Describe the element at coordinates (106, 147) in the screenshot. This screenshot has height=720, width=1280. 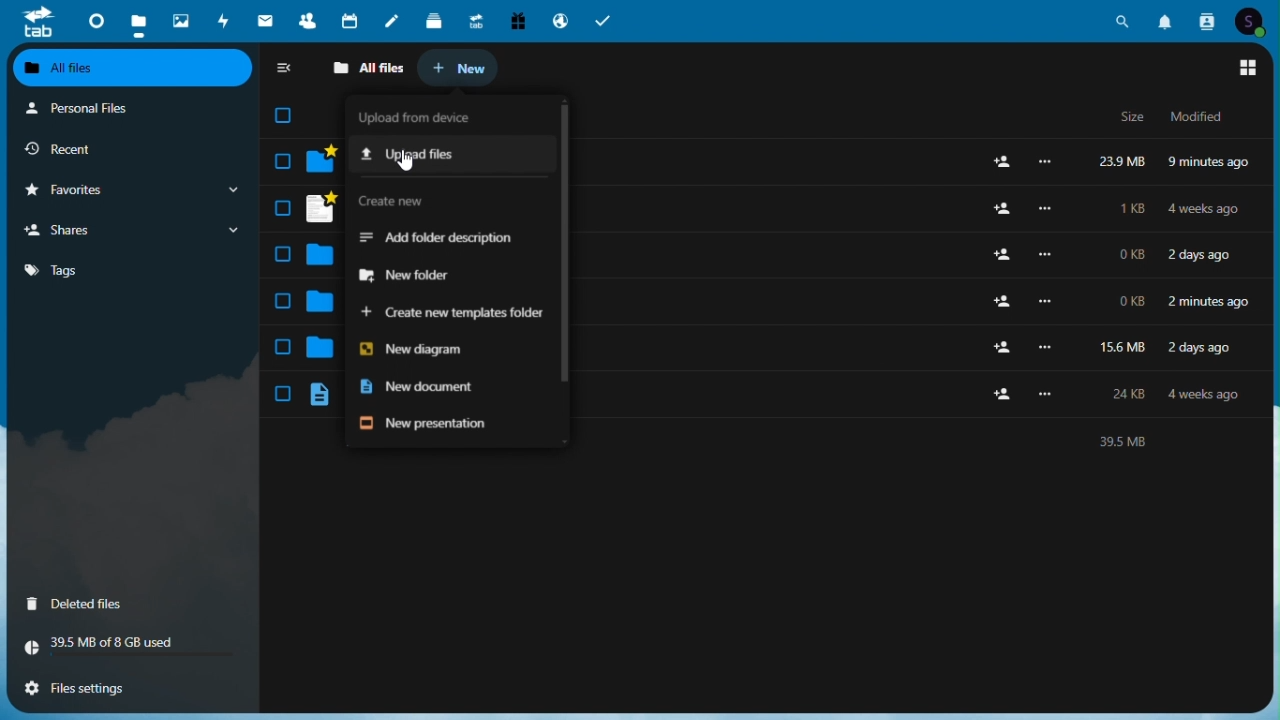
I see `Recent` at that location.